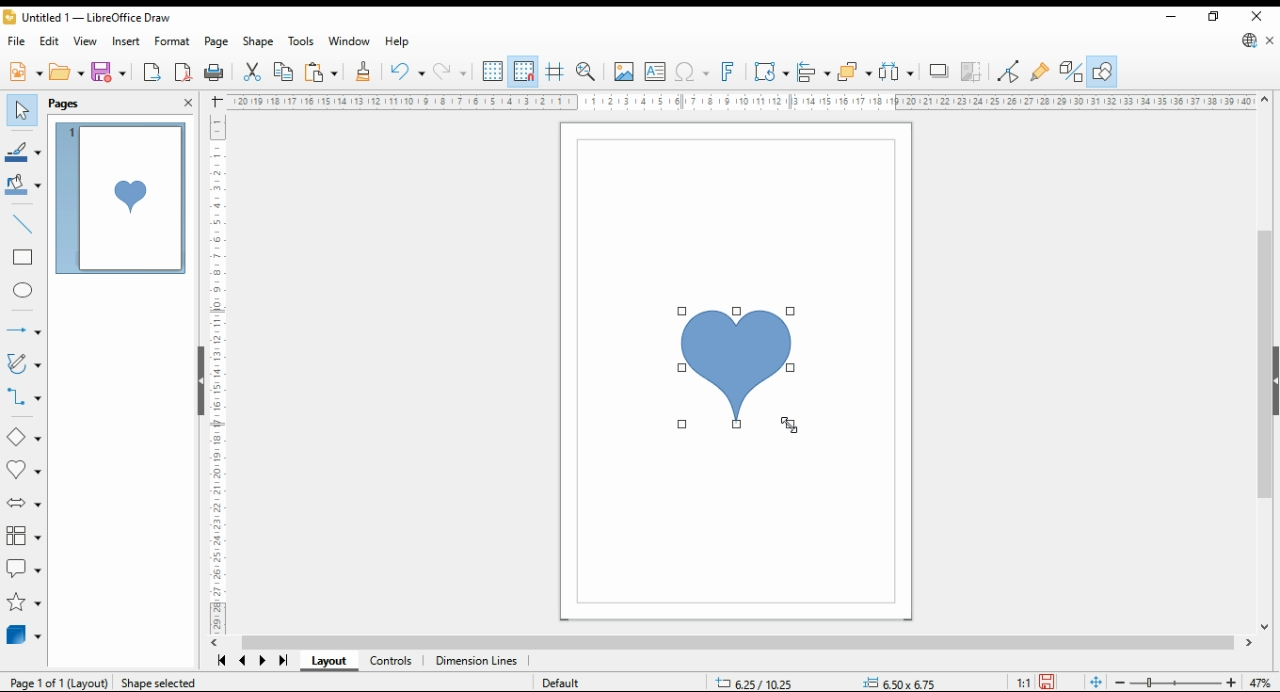 The width and height of the screenshot is (1280, 692). I want to click on lines and arrows, so click(23, 327).